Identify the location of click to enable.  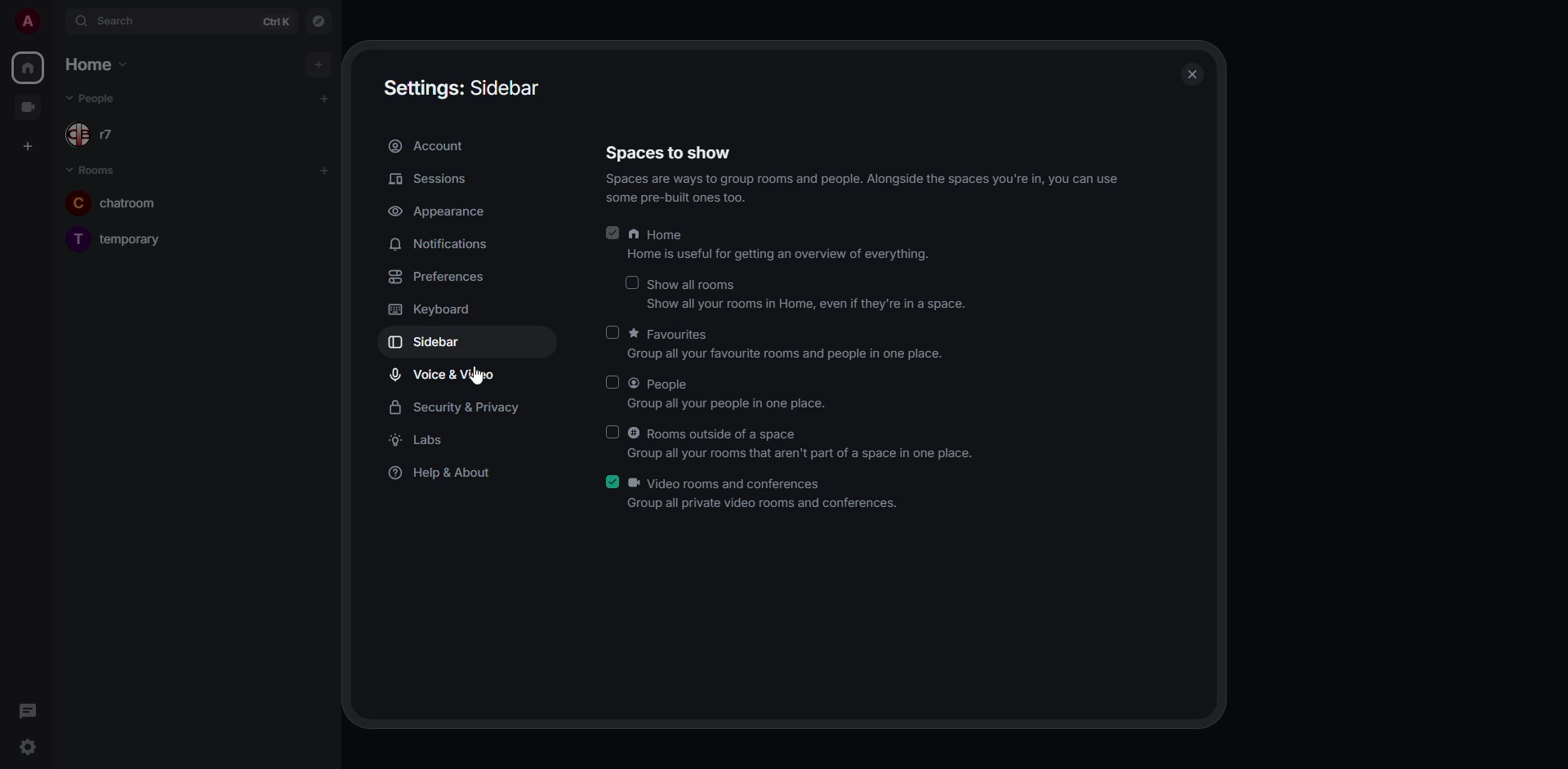
(614, 432).